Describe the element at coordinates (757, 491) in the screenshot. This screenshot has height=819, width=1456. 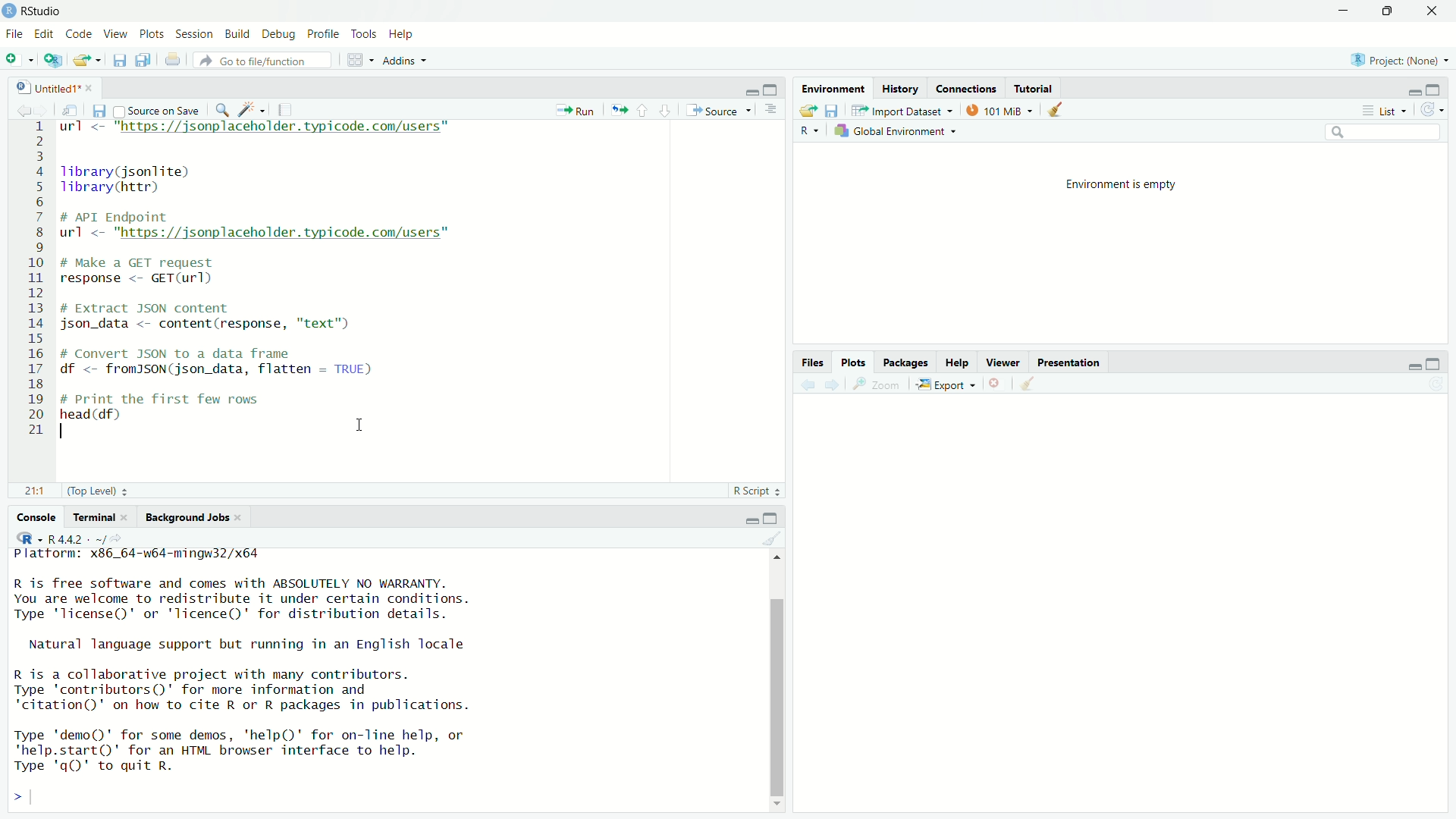
I see `R Script ` at that location.